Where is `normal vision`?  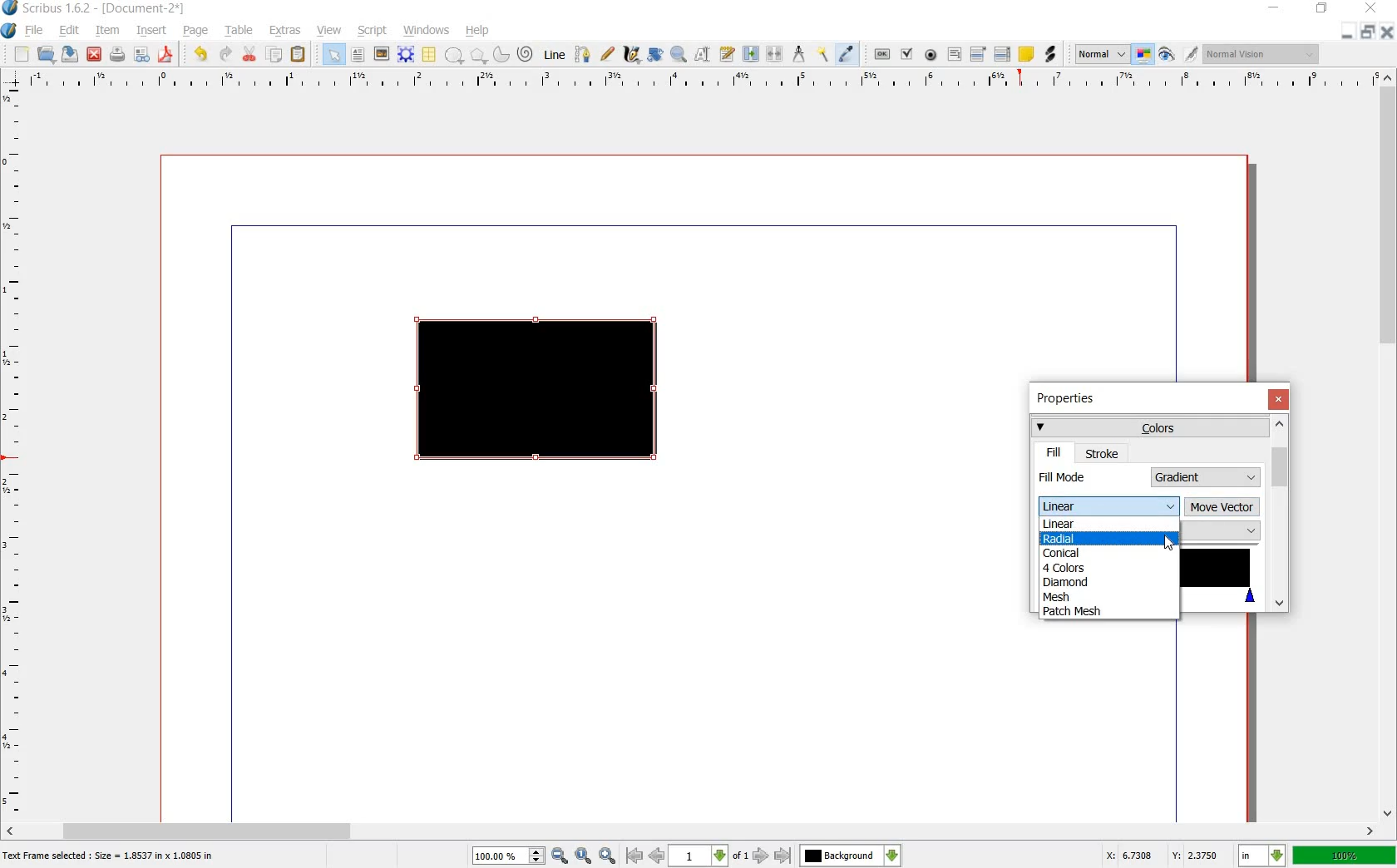
normal vision is located at coordinates (1264, 53).